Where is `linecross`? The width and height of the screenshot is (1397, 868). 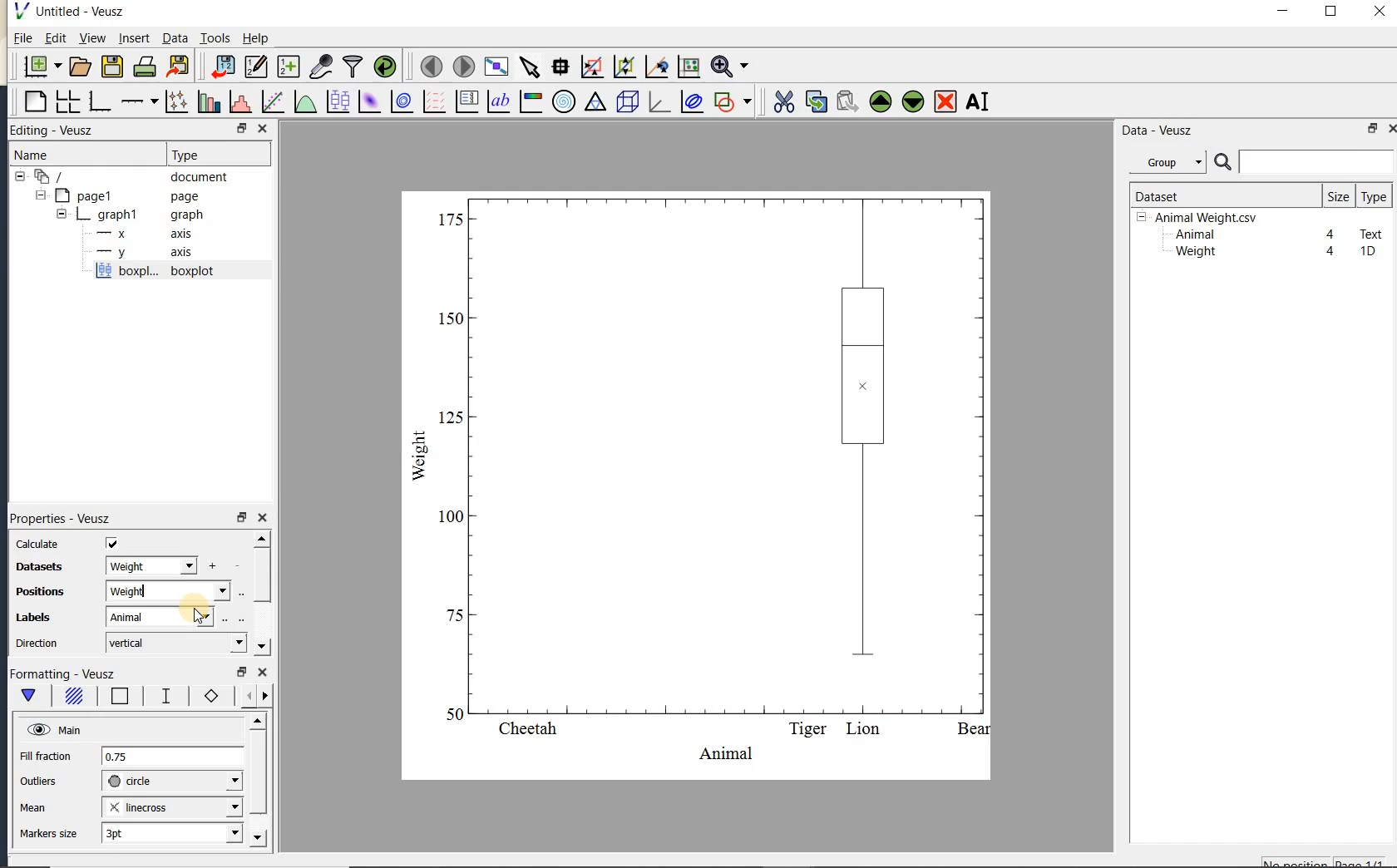
linecross is located at coordinates (170, 806).